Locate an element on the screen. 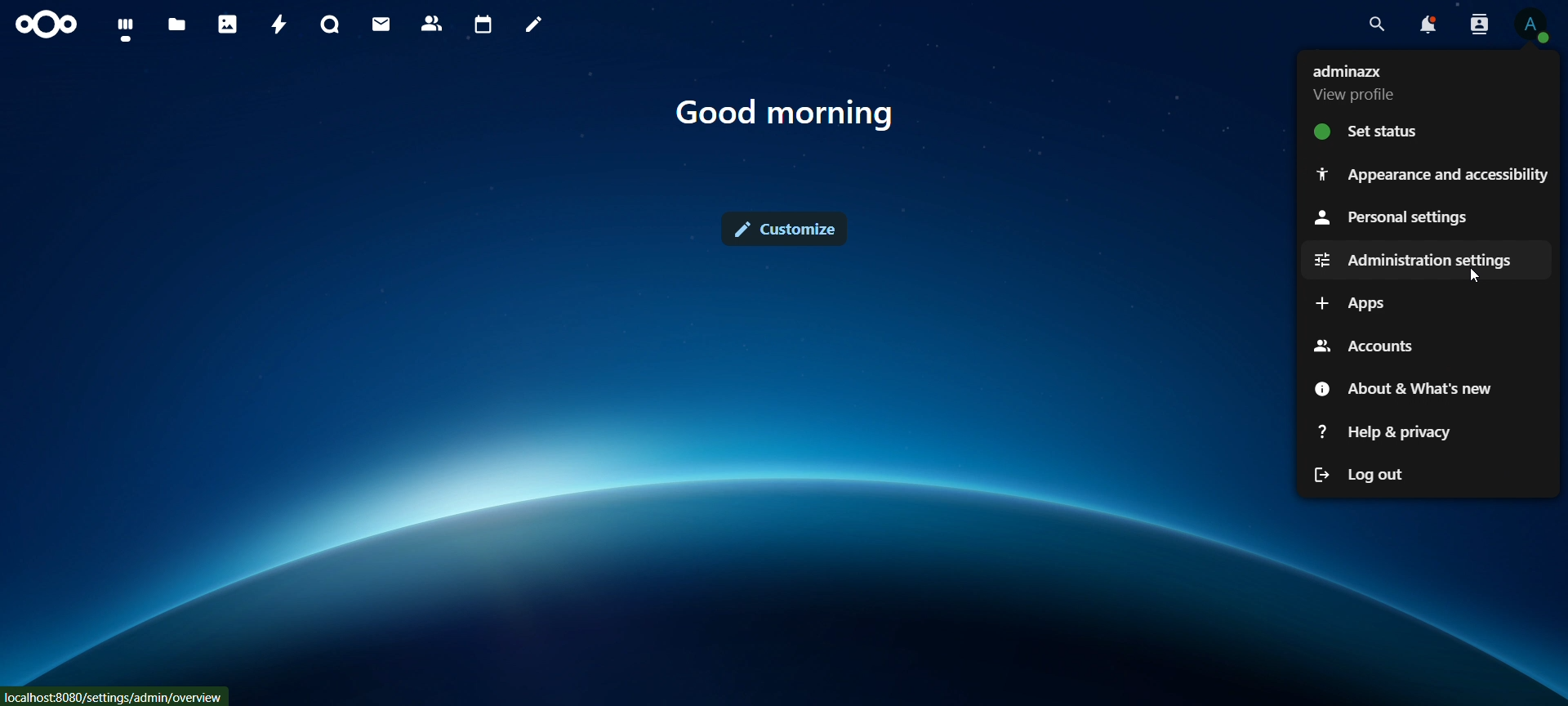 This screenshot has width=1568, height=706. personal settings is located at coordinates (1404, 214).